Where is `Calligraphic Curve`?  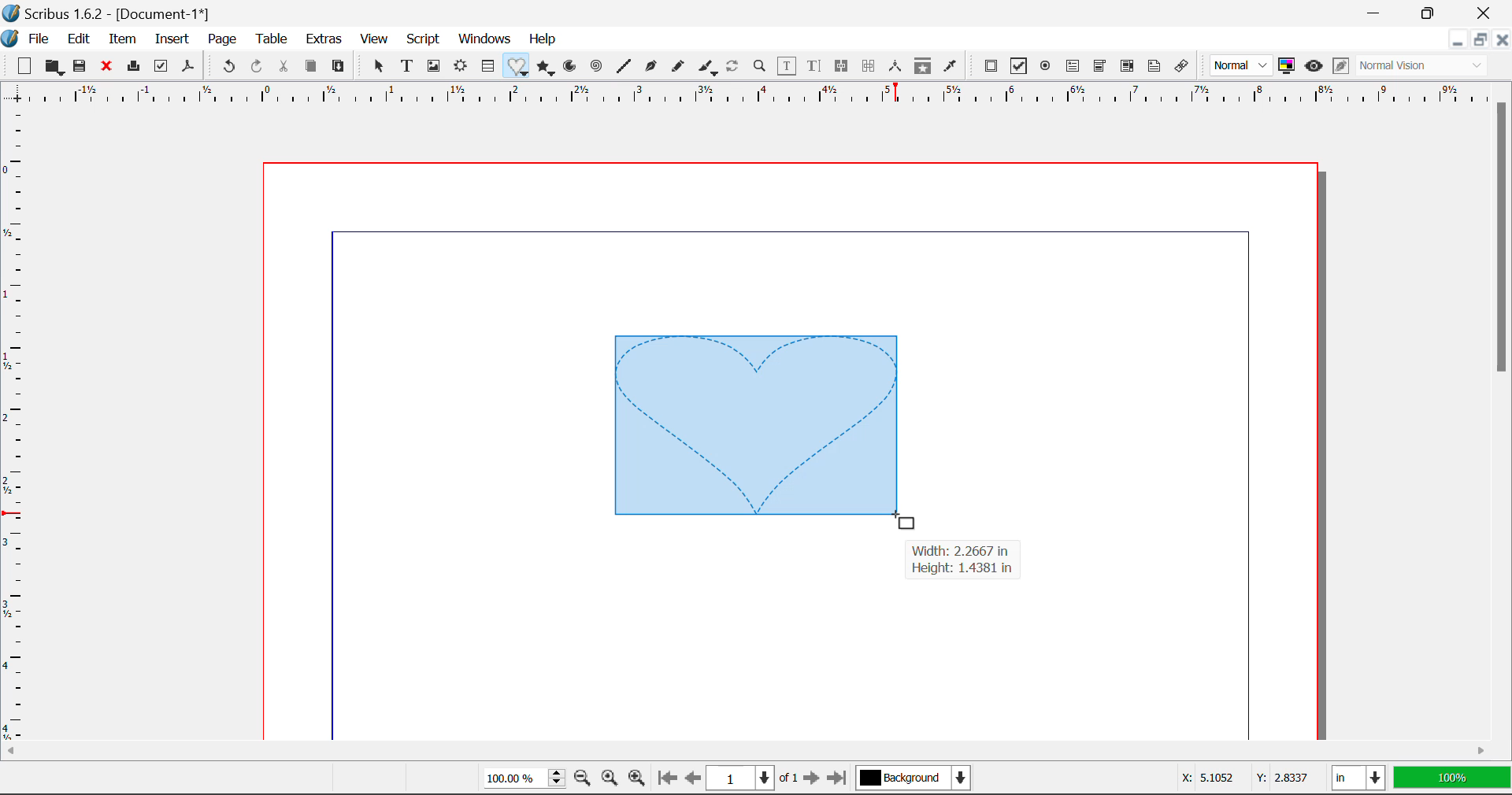 Calligraphic Curve is located at coordinates (708, 69).